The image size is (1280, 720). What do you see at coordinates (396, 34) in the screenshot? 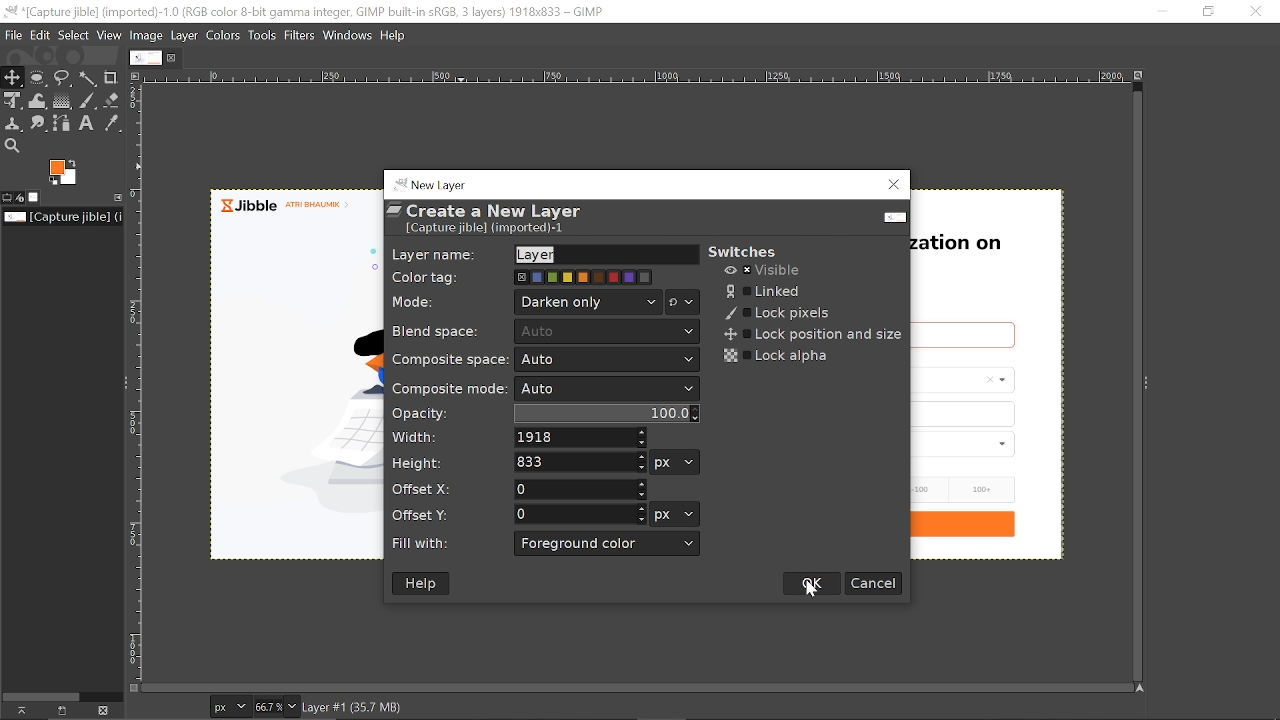
I see `Help` at bounding box center [396, 34].